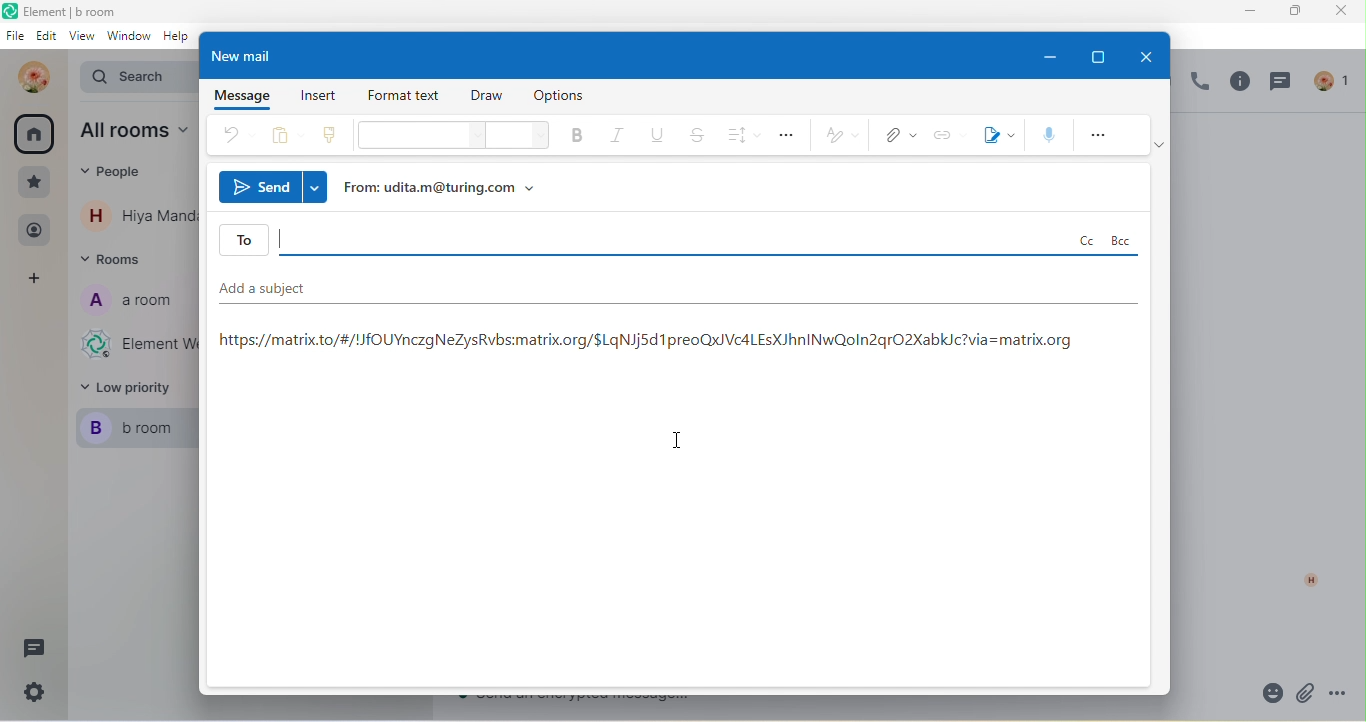 The width and height of the screenshot is (1366, 722). What do you see at coordinates (946, 137) in the screenshot?
I see `link` at bounding box center [946, 137].